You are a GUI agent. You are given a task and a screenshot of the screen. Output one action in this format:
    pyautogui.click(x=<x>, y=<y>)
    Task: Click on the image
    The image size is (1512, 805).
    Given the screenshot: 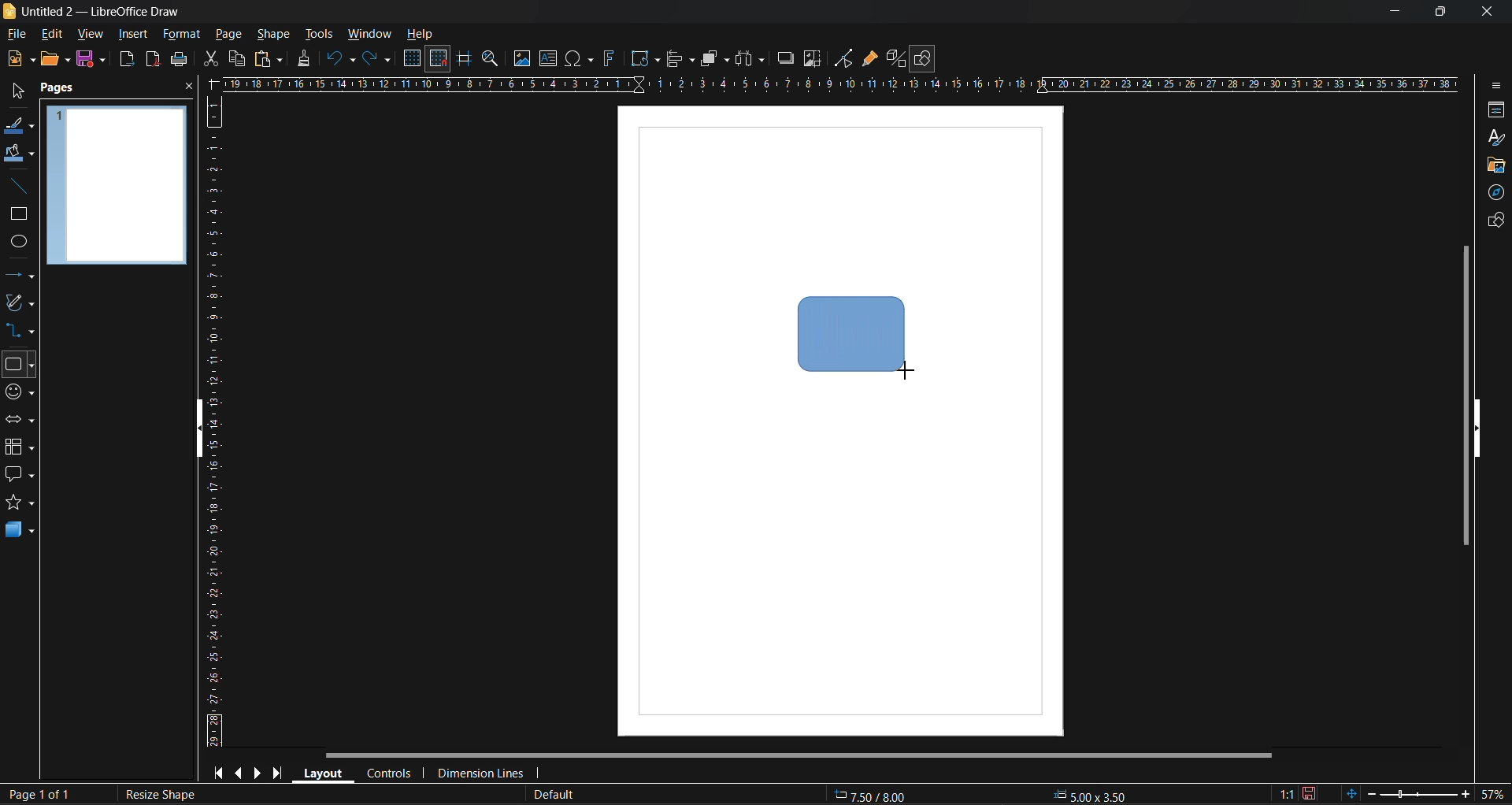 What is the action you would take?
    pyautogui.click(x=521, y=58)
    